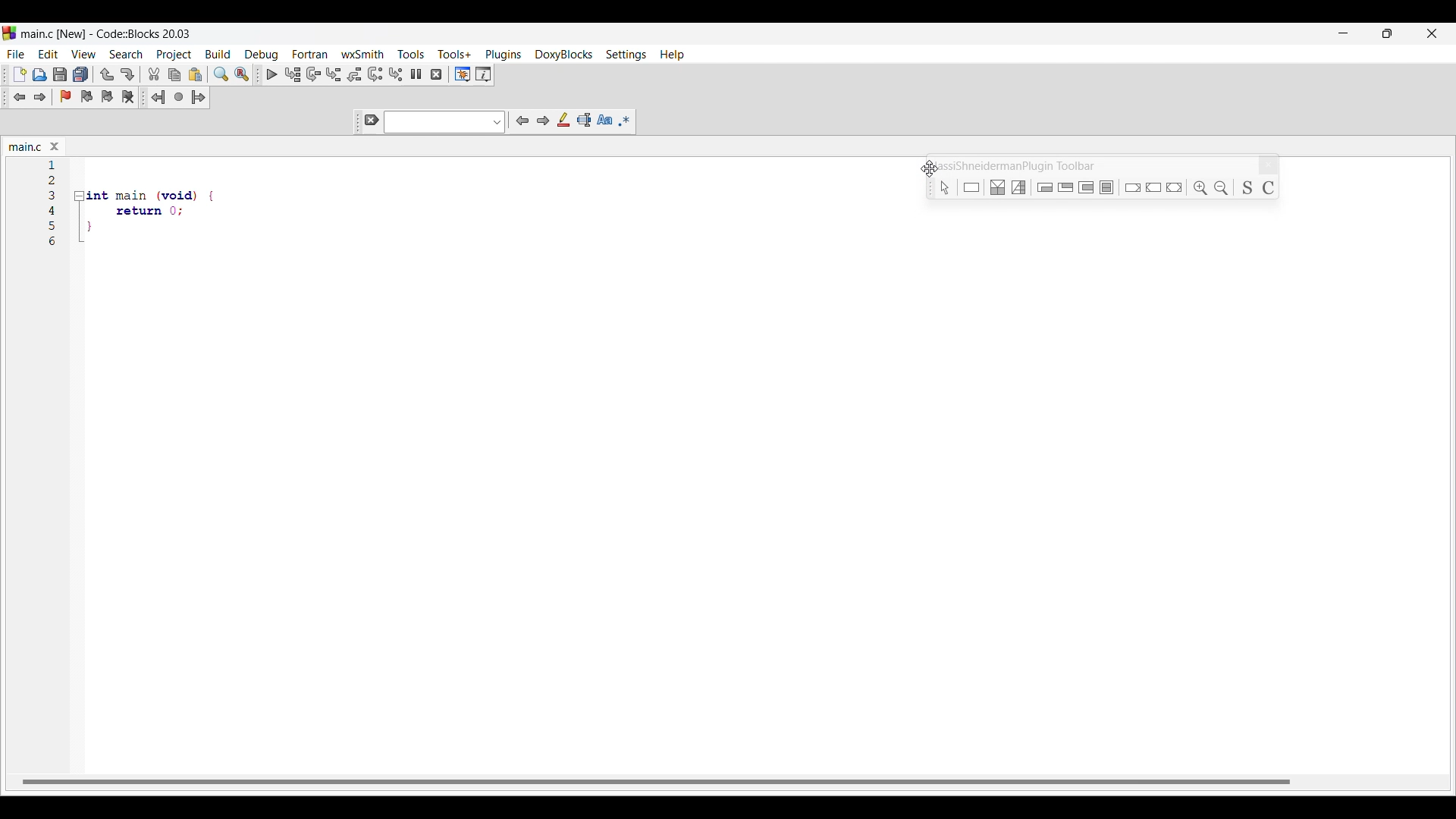 The image size is (1456, 819). Describe the element at coordinates (174, 75) in the screenshot. I see `Copy` at that location.